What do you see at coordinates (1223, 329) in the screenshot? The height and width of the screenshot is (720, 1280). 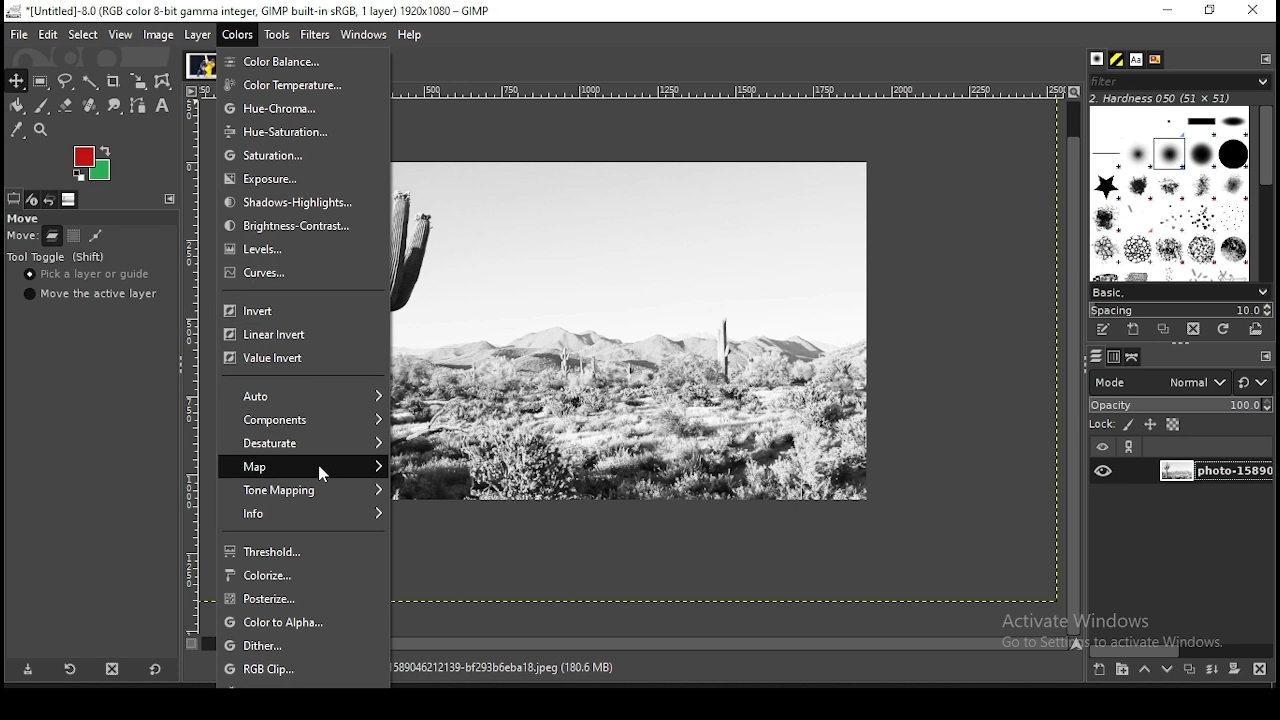 I see `refresh brush` at bounding box center [1223, 329].